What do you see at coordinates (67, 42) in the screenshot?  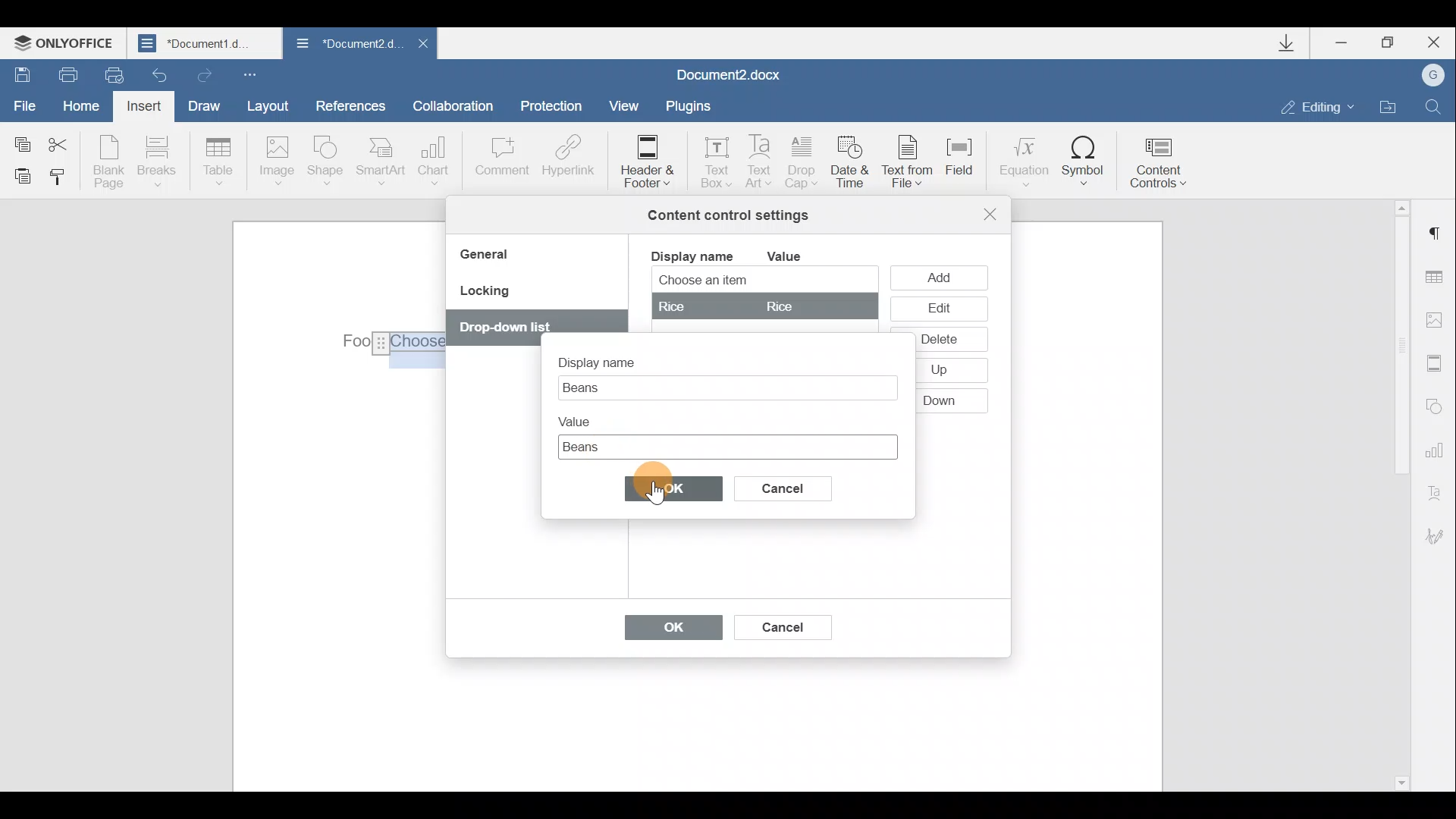 I see `ONLYOFFICE` at bounding box center [67, 42].